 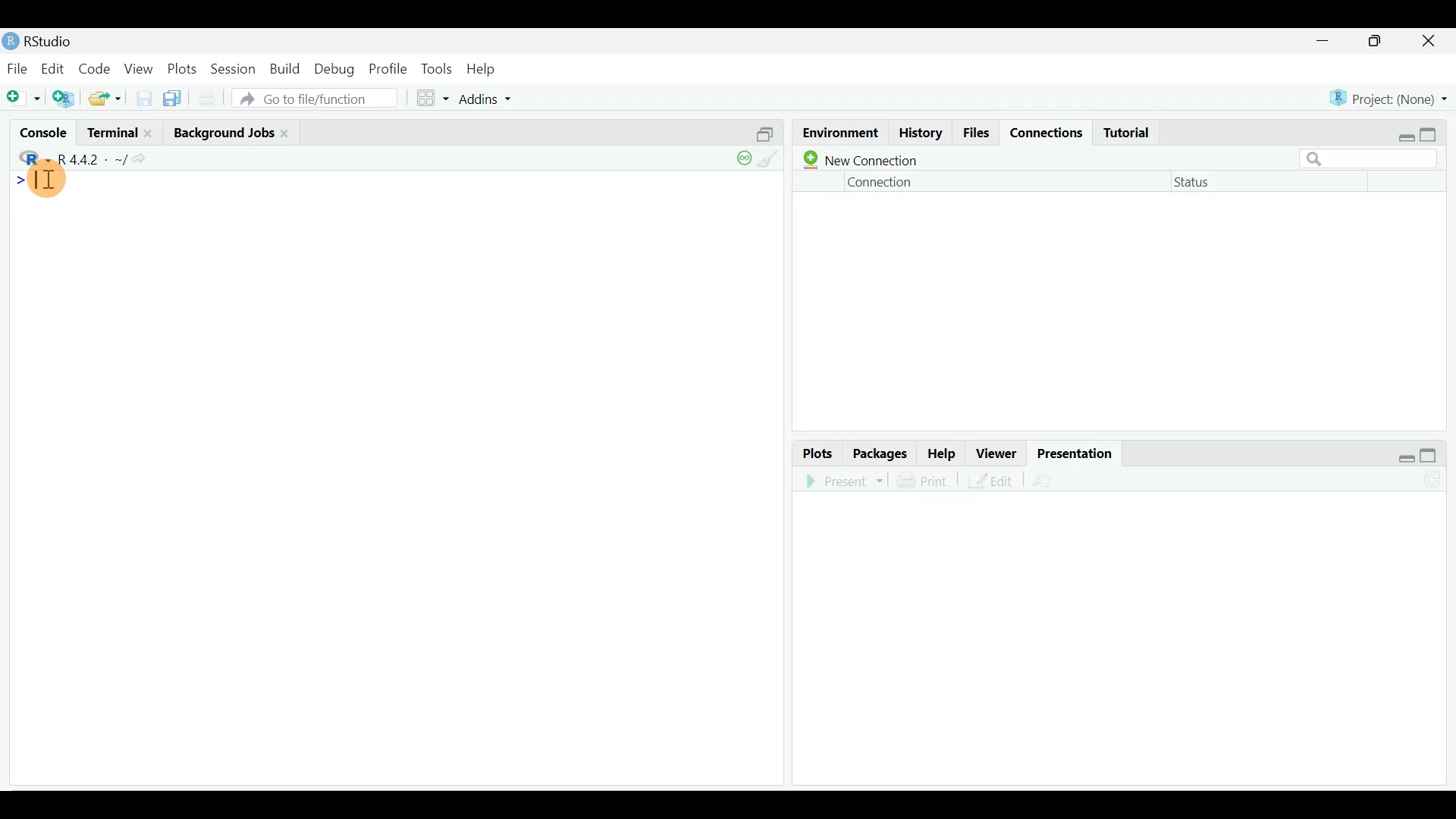 What do you see at coordinates (146, 98) in the screenshot?
I see `Save current document` at bounding box center [146, 98].